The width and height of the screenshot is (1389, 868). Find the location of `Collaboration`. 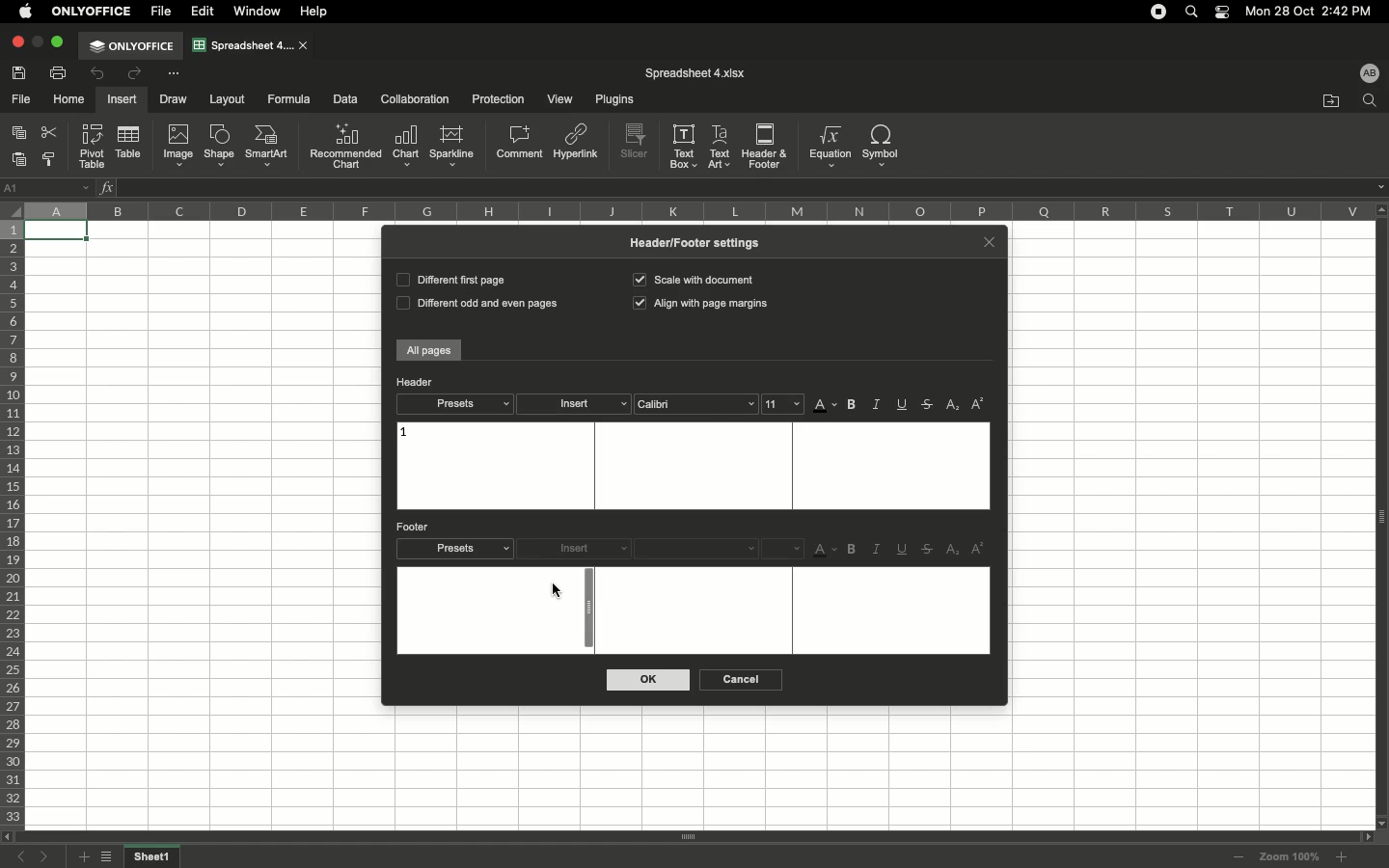

Collaboration is located at coordinates (416, 100).